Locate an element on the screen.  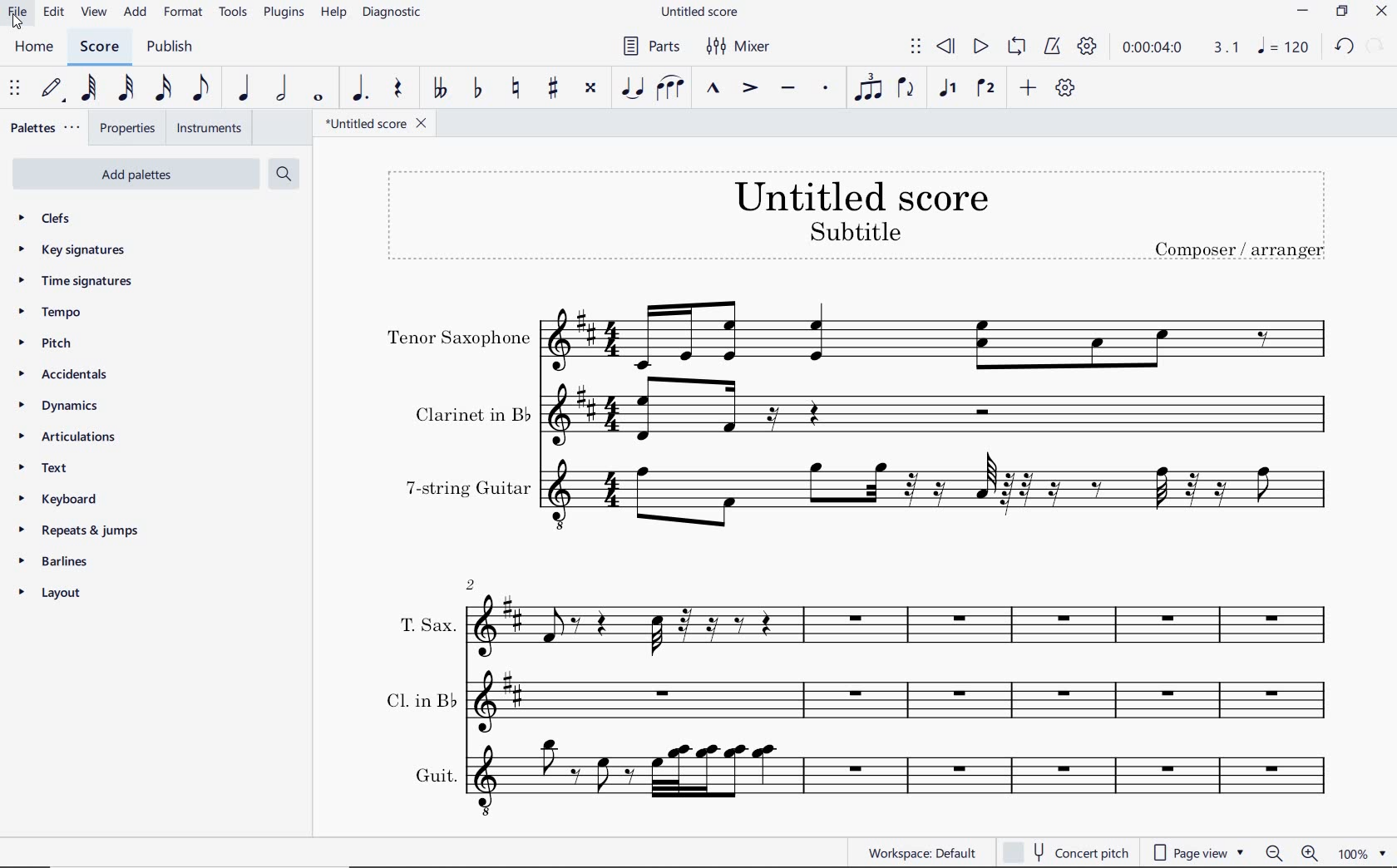
PARTS is located at coordinates (650, 46).